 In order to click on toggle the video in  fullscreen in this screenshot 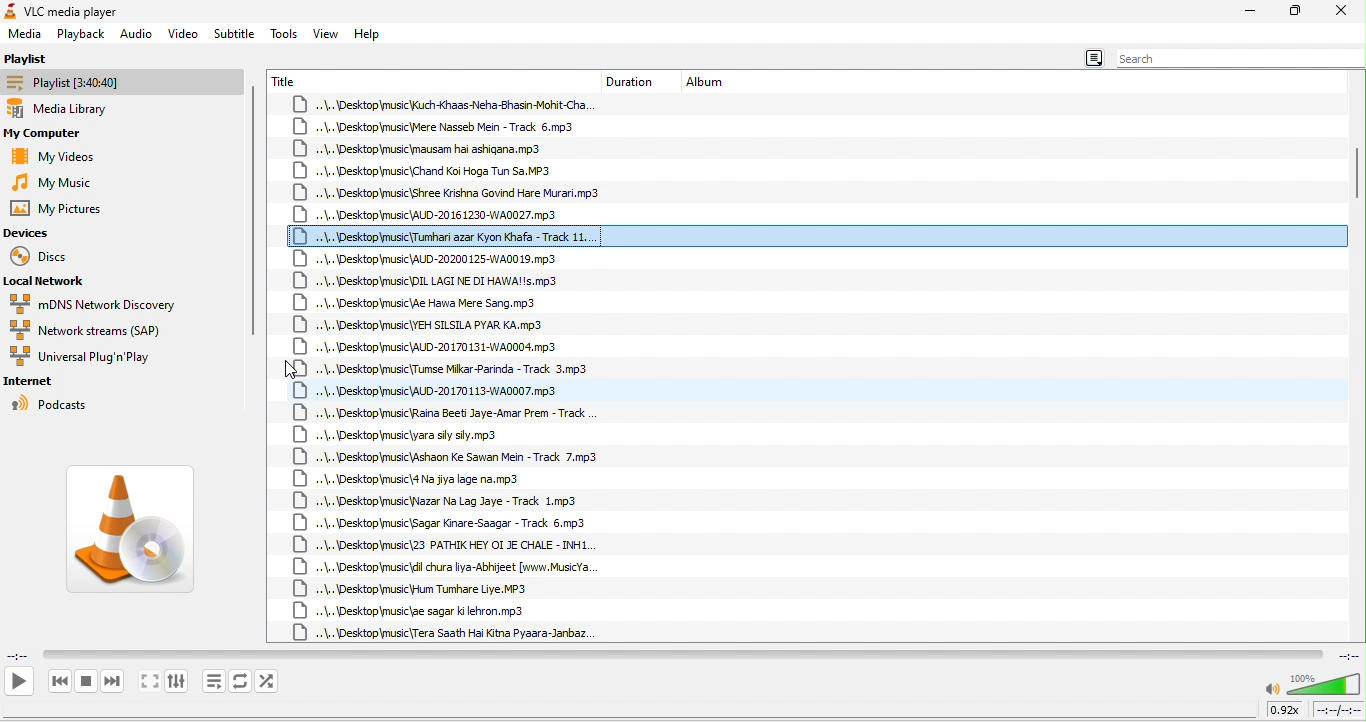, I will do `click(149, 683)`.